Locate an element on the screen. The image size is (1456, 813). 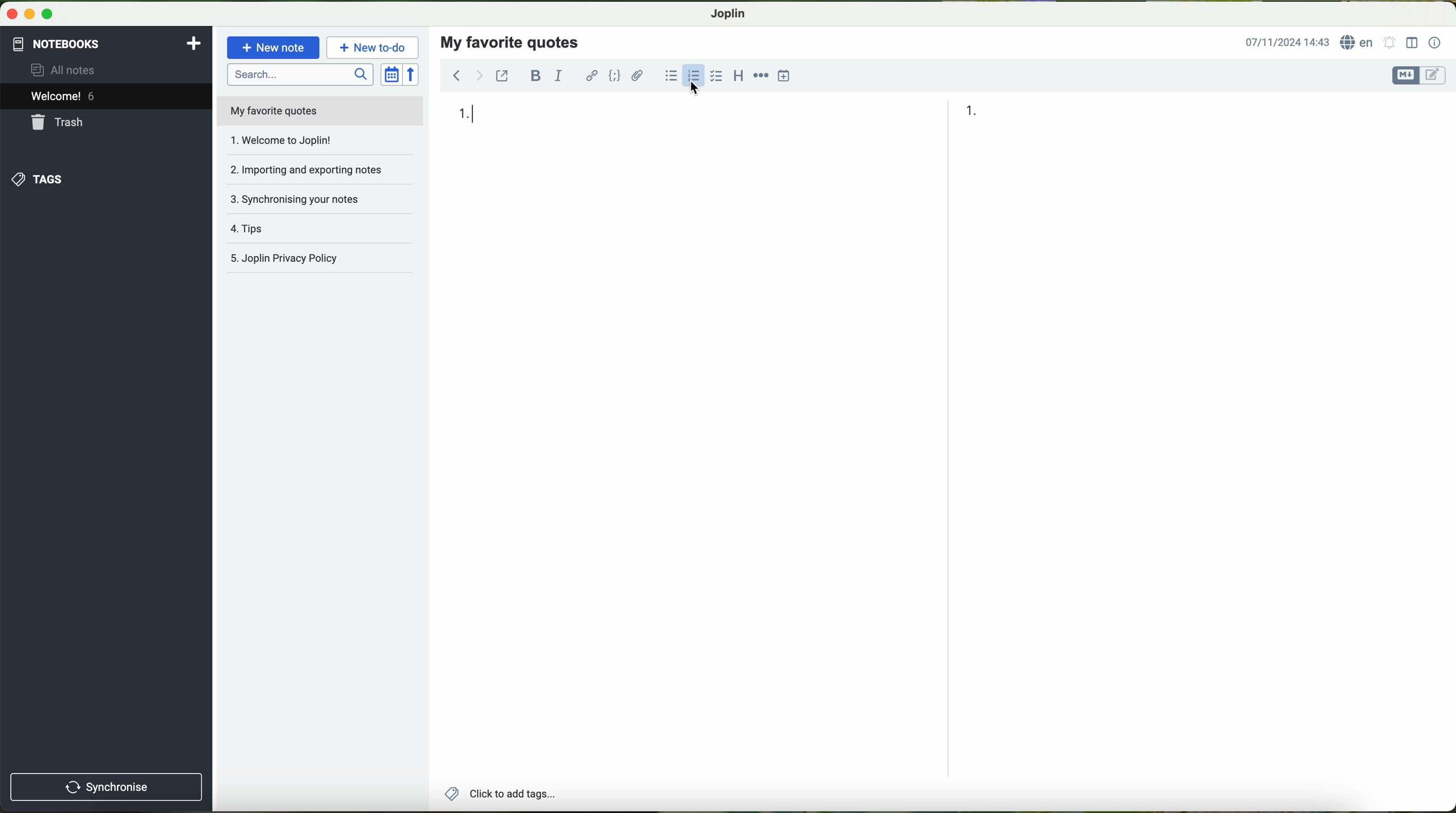
toggle editor is located at coordinates (1419, 75).